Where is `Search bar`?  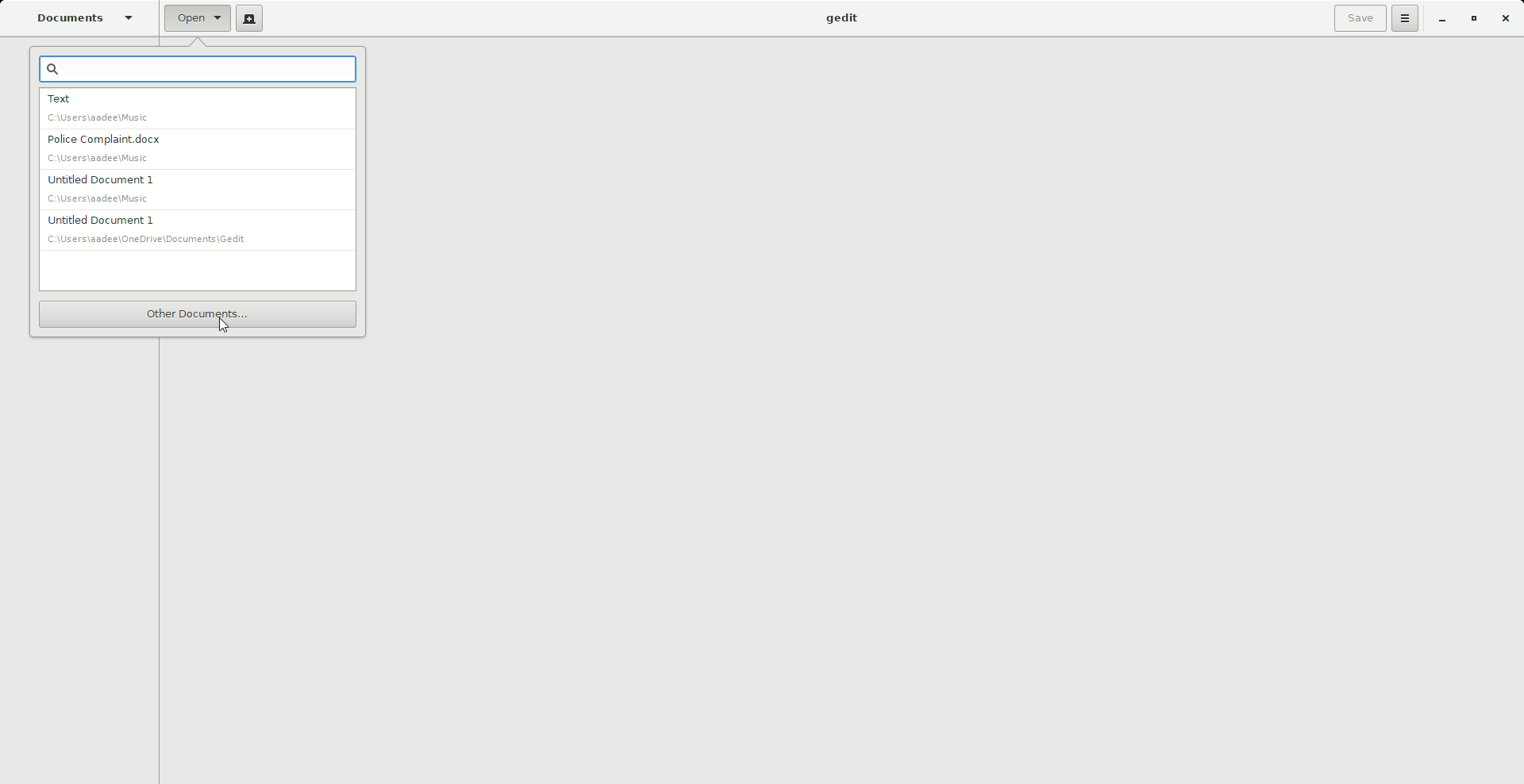 Search bar is located at coordinates (197, 70).